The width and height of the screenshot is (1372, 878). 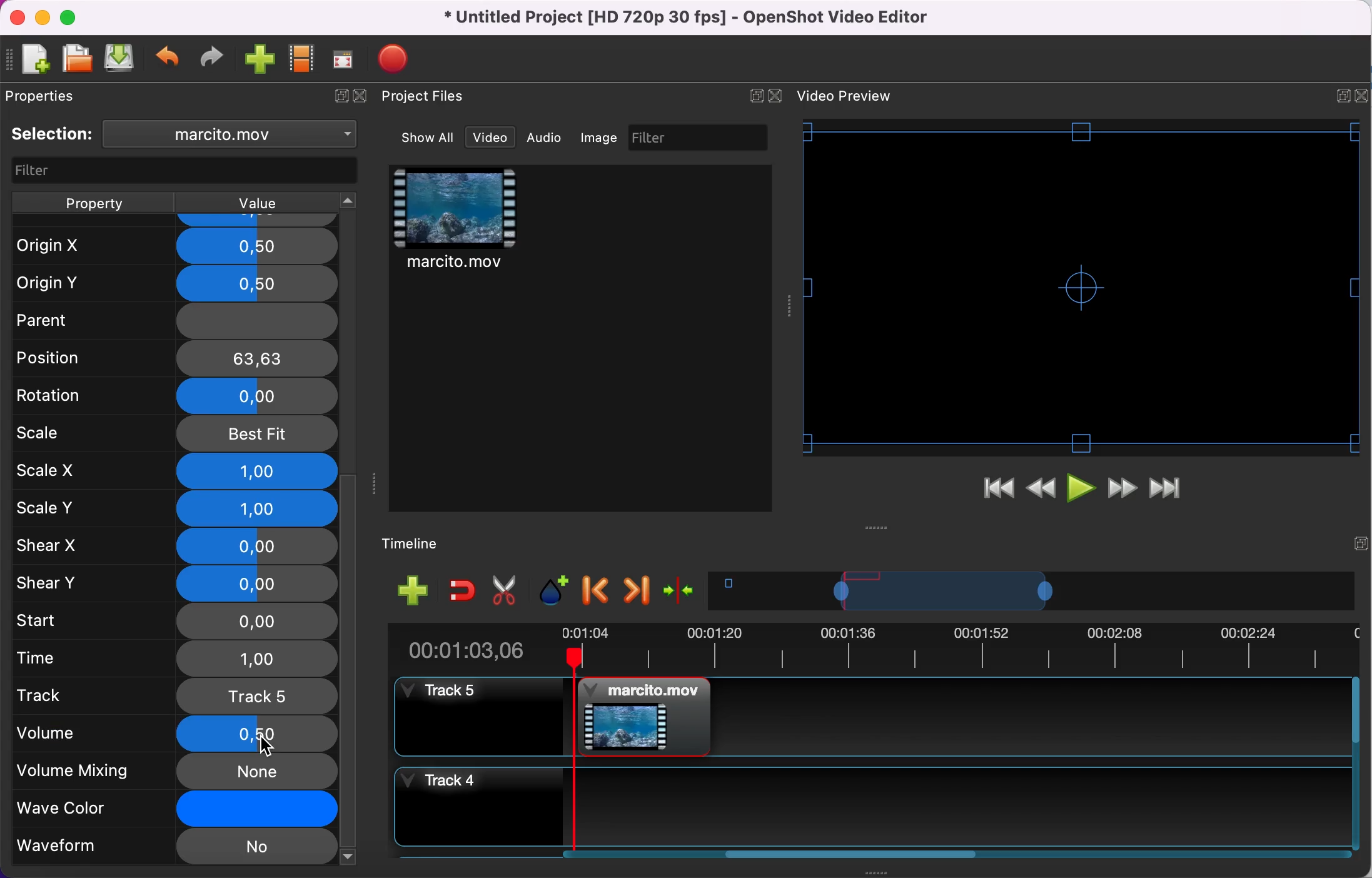 I want to click on rotation 0, so click(x=175, y=398).